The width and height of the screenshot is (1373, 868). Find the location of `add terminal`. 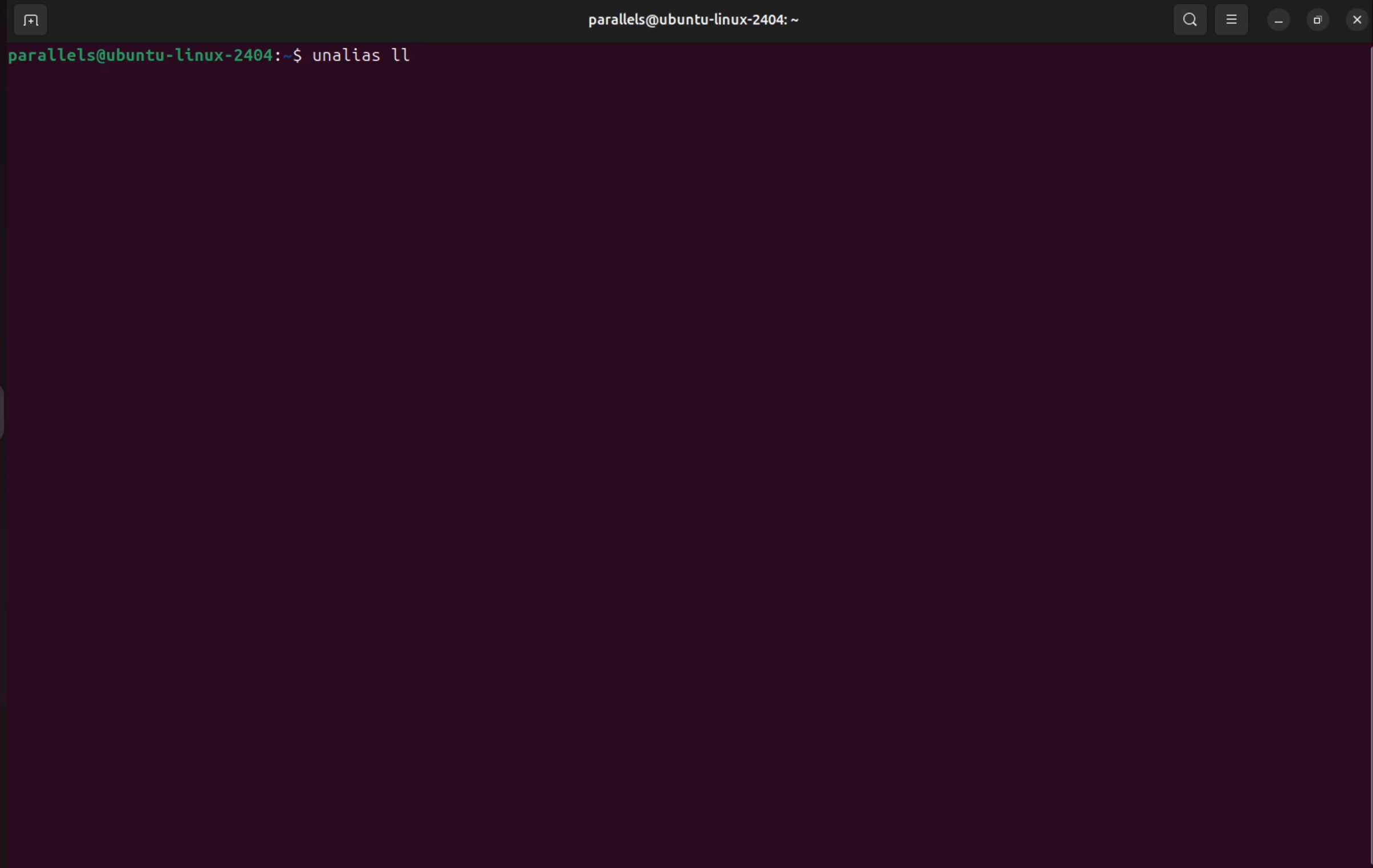

add terminal is located at coordinates (27, 22).